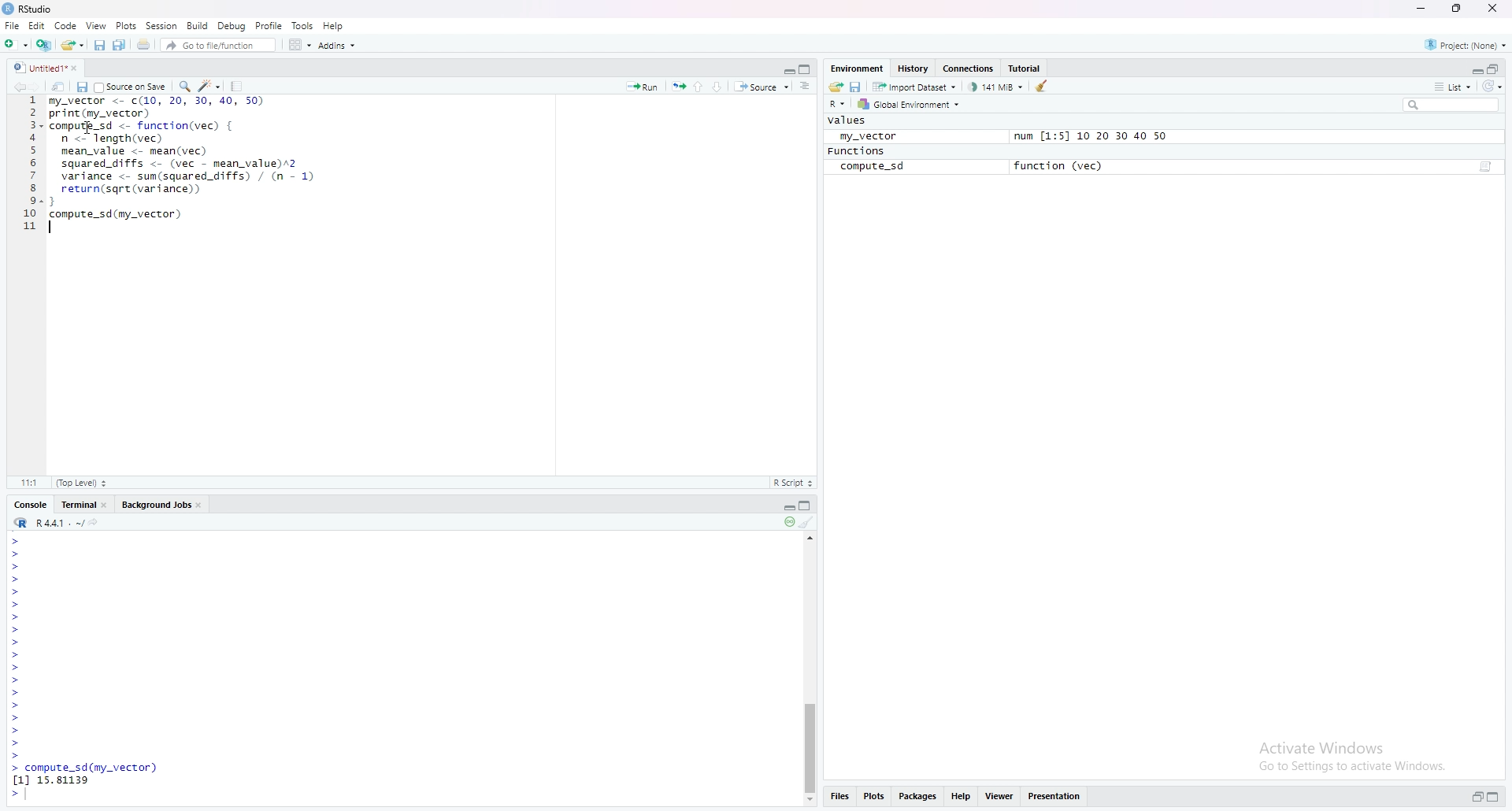 The image size is (1512, 811). I want to click on Prompt cursor, so click(16, 756).